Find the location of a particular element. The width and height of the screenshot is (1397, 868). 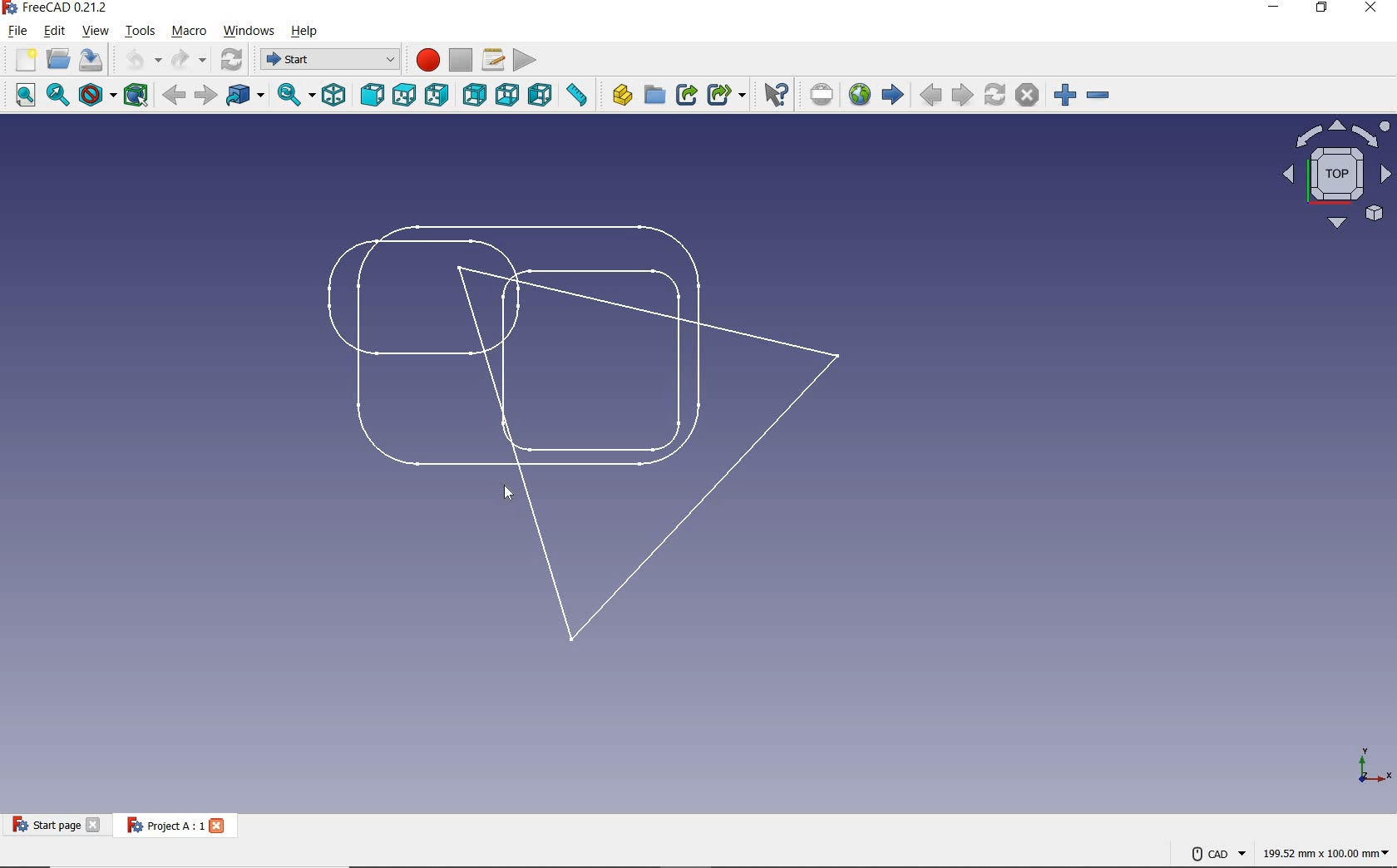

NEW is located at coordinates (20, 60).